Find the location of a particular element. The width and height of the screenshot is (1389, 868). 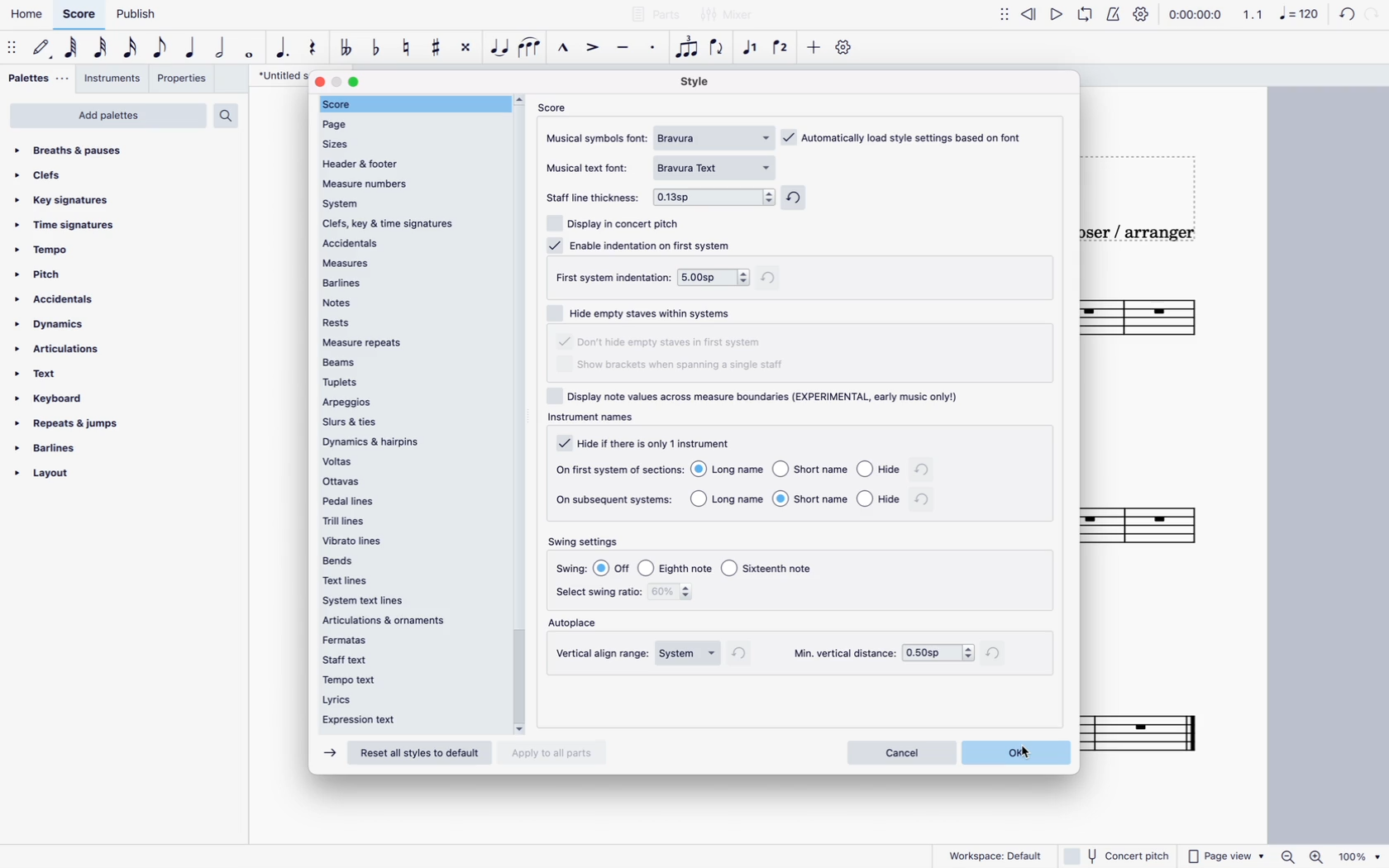

swing settings is located at coordinates (589, 542).